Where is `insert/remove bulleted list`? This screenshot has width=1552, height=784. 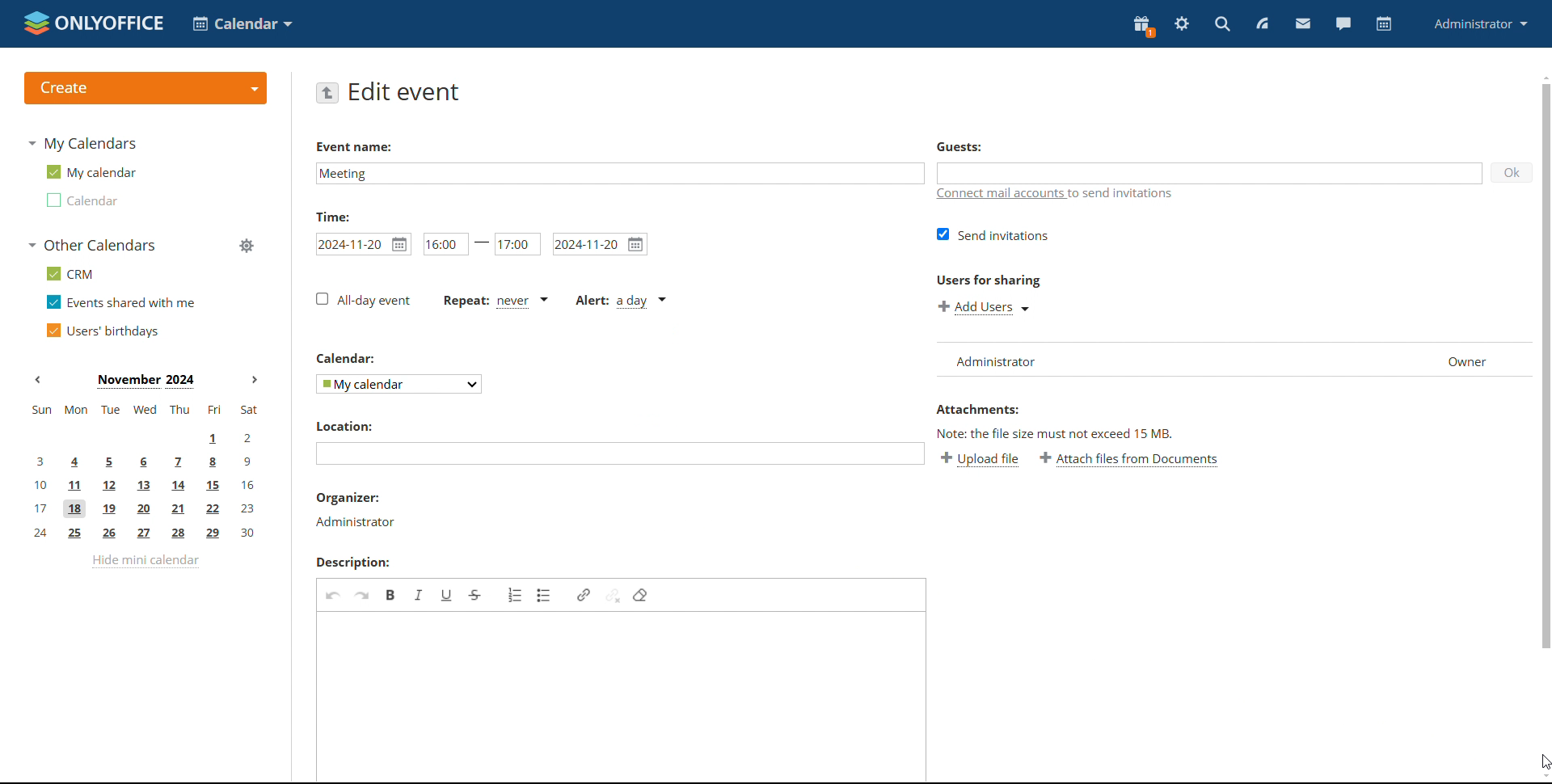
insert/remove bulleted list is located at coordinates (546, 596).